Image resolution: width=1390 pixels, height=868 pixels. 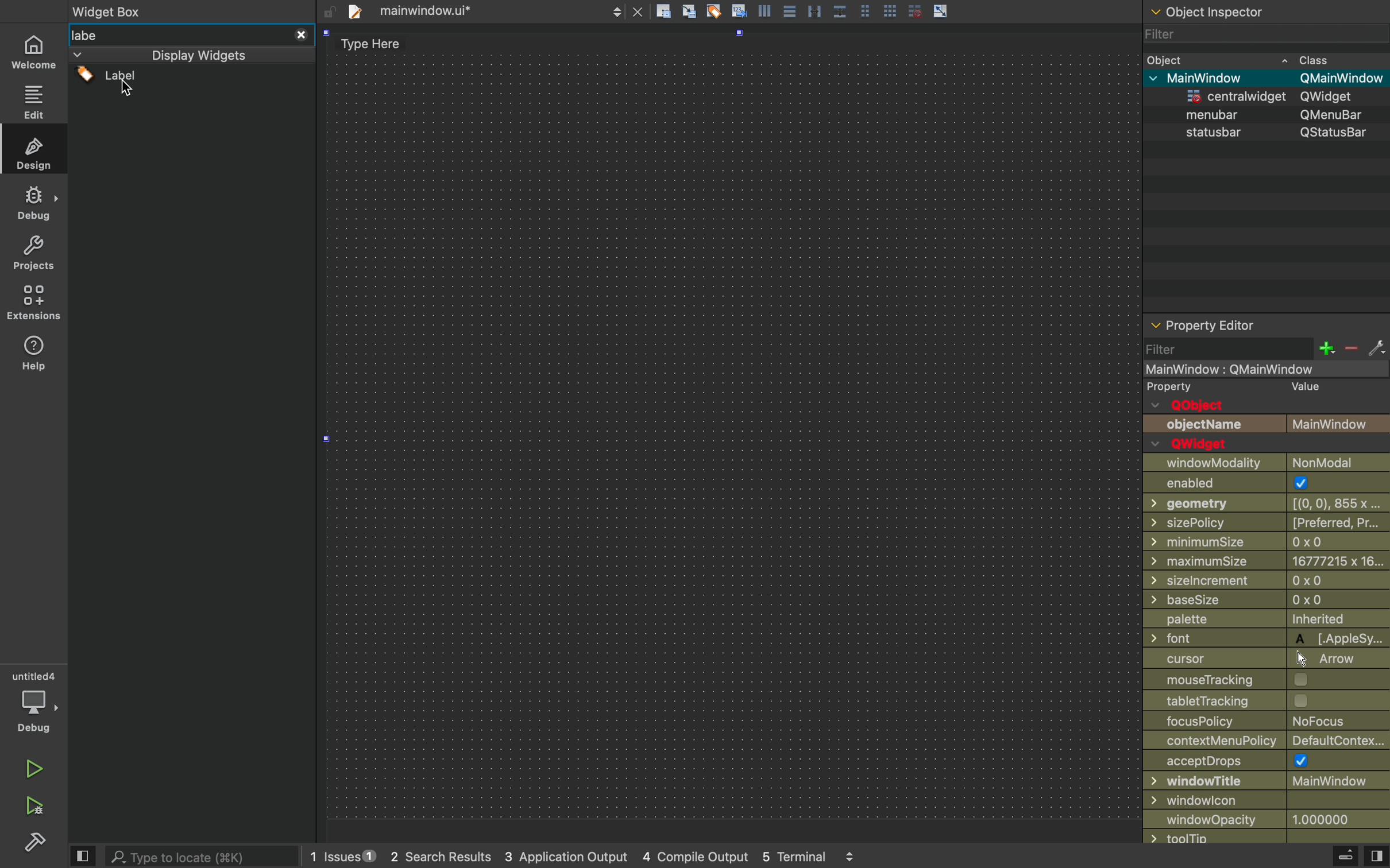 What do you see at coordinates (1271, 78) in the screenshot?
I see `mainwindow` at bounding box center [1271, 78].